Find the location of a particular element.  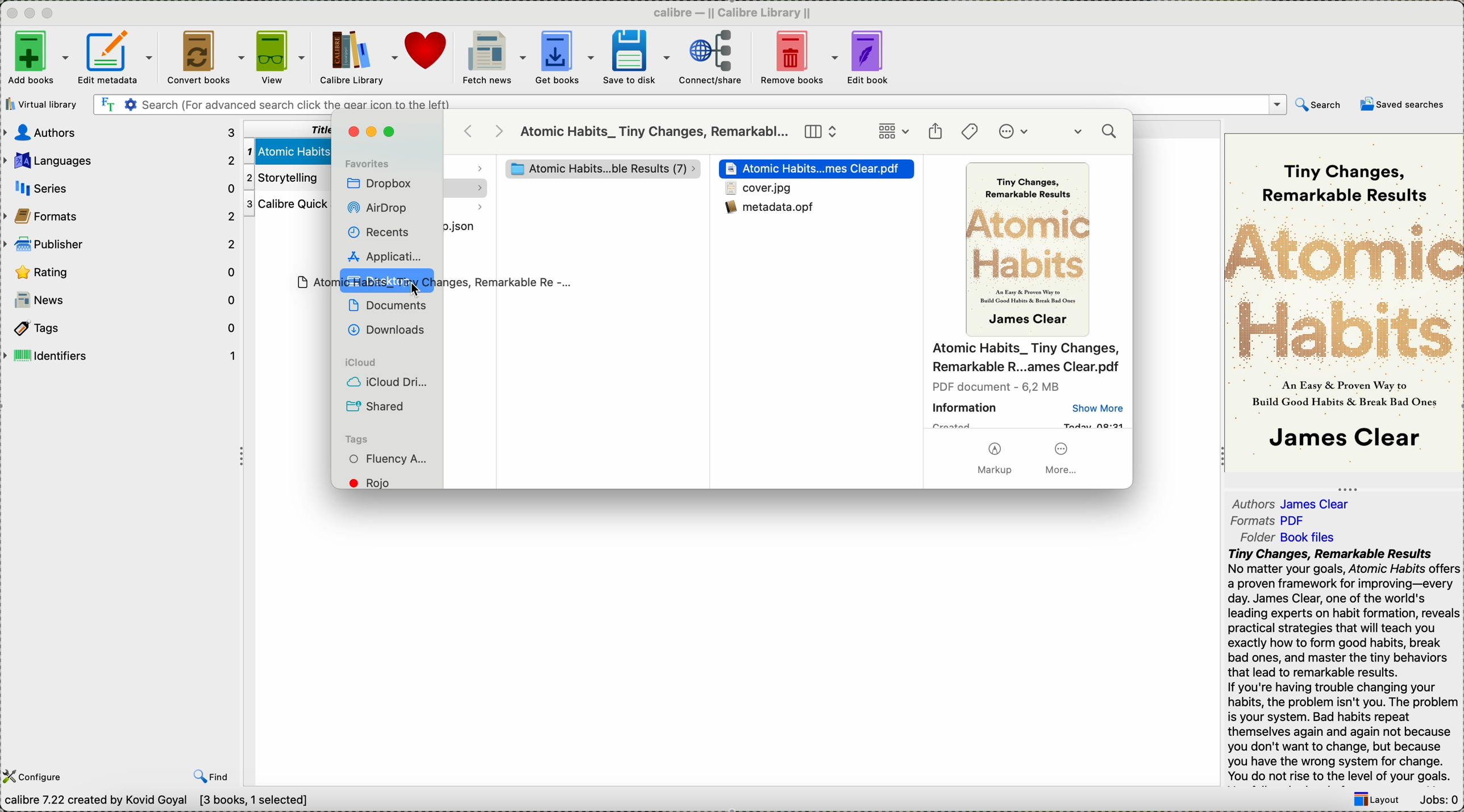

news is located at coordinates (121, 300).